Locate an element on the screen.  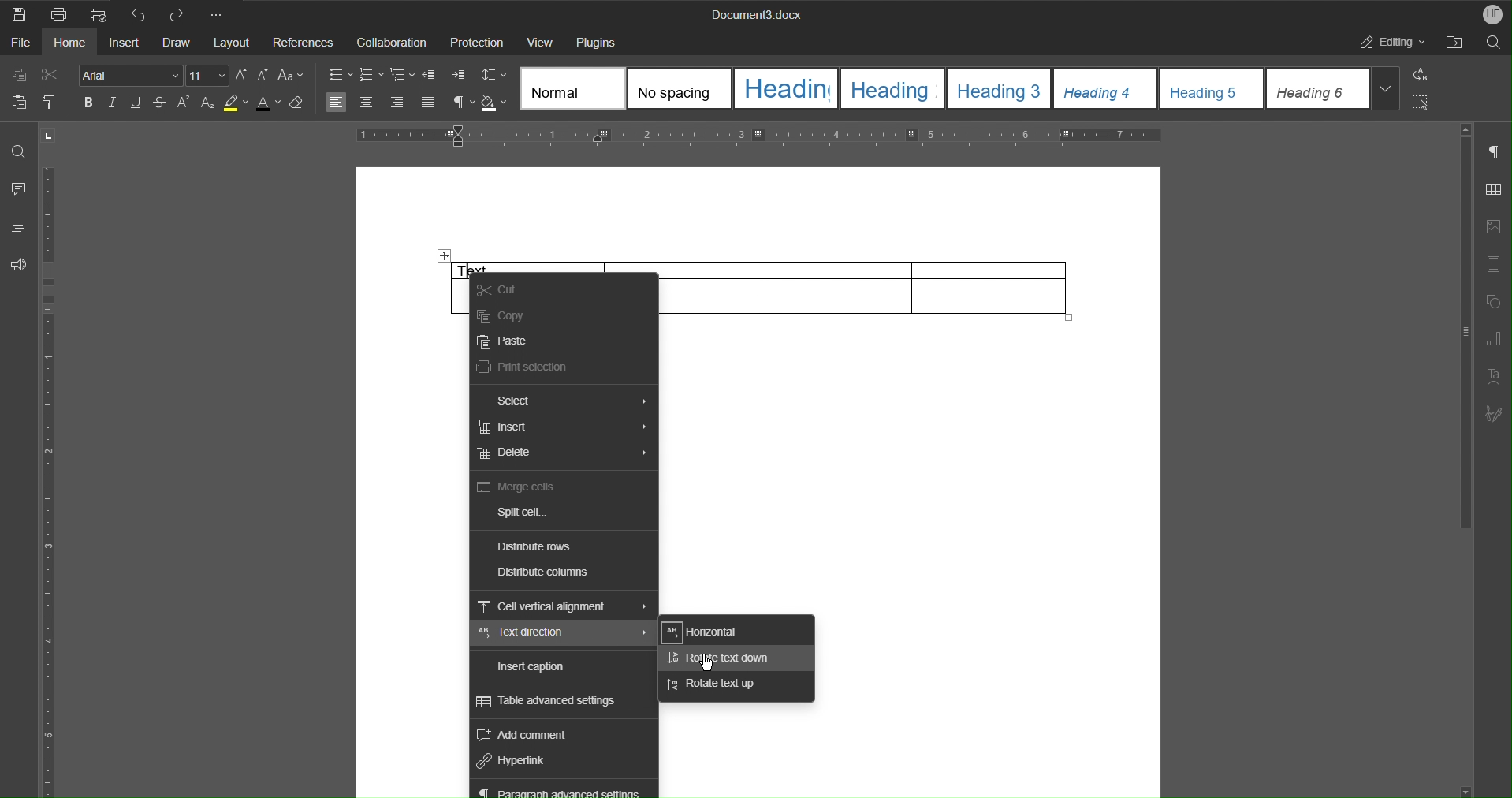
page orientation is located at coordinates (48, 136).